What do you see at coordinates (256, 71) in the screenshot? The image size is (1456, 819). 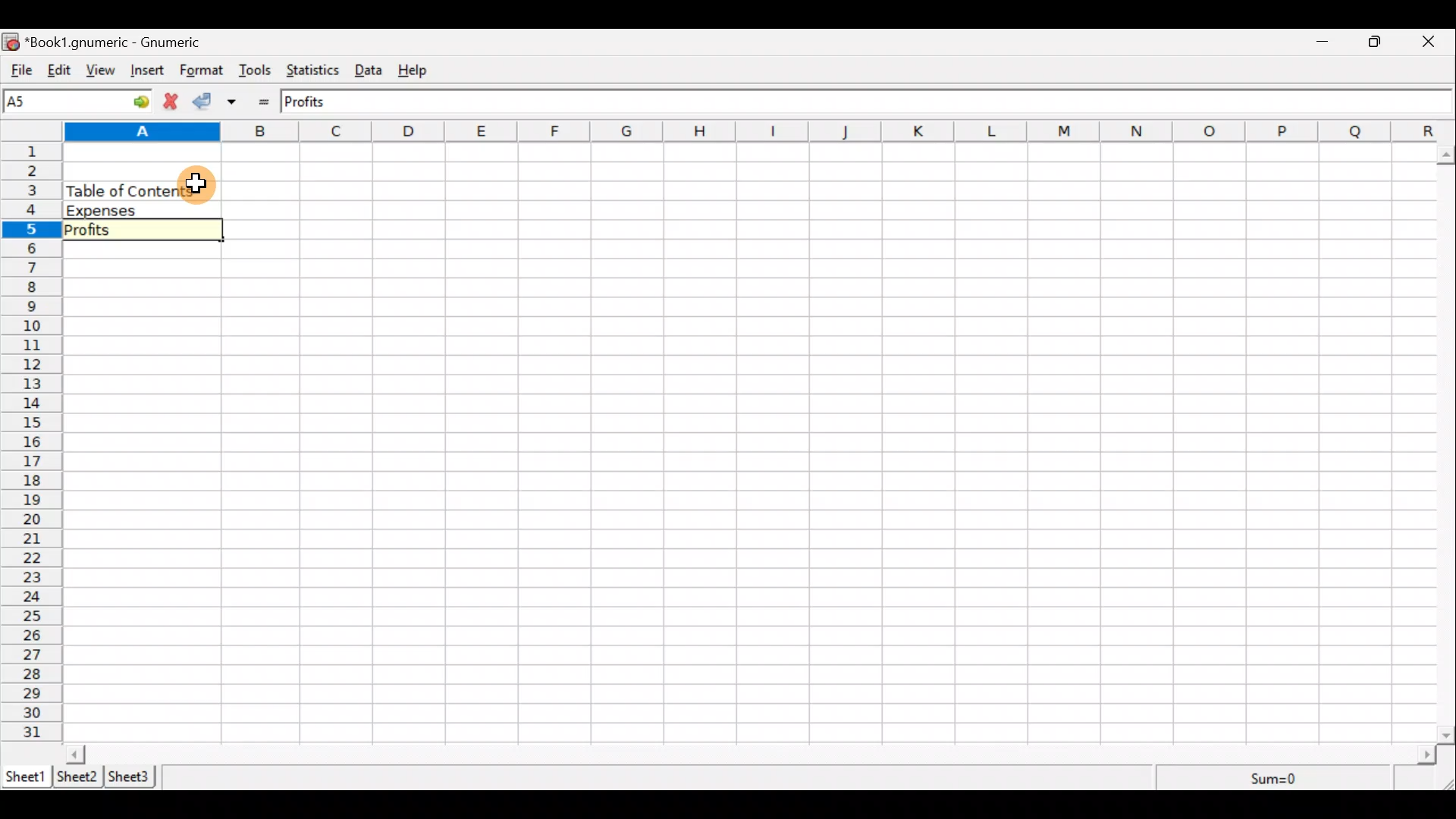 I see `Tools` at bounding box center [256, 71].